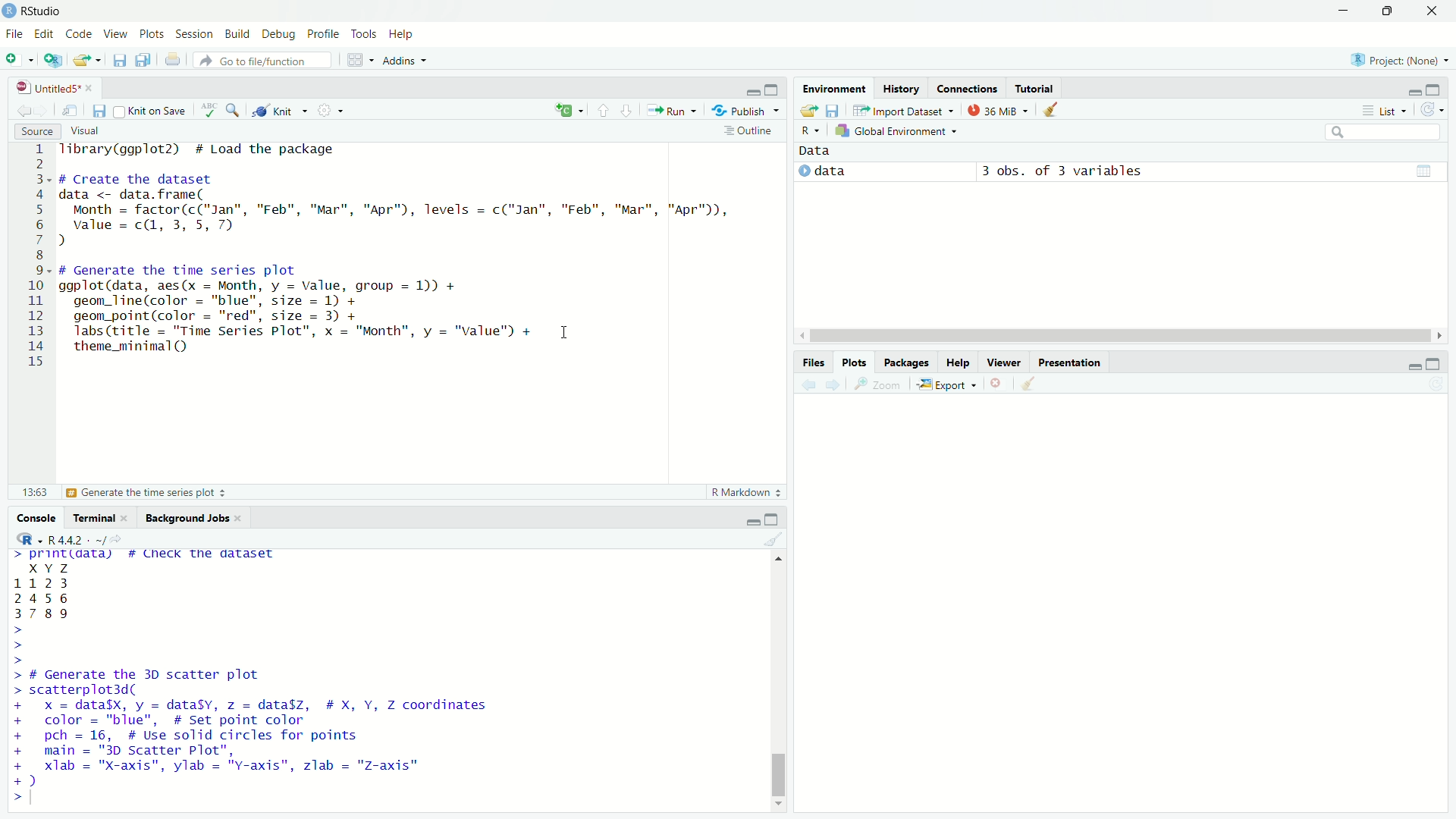  I want to click on Table, so click(1425, 173).